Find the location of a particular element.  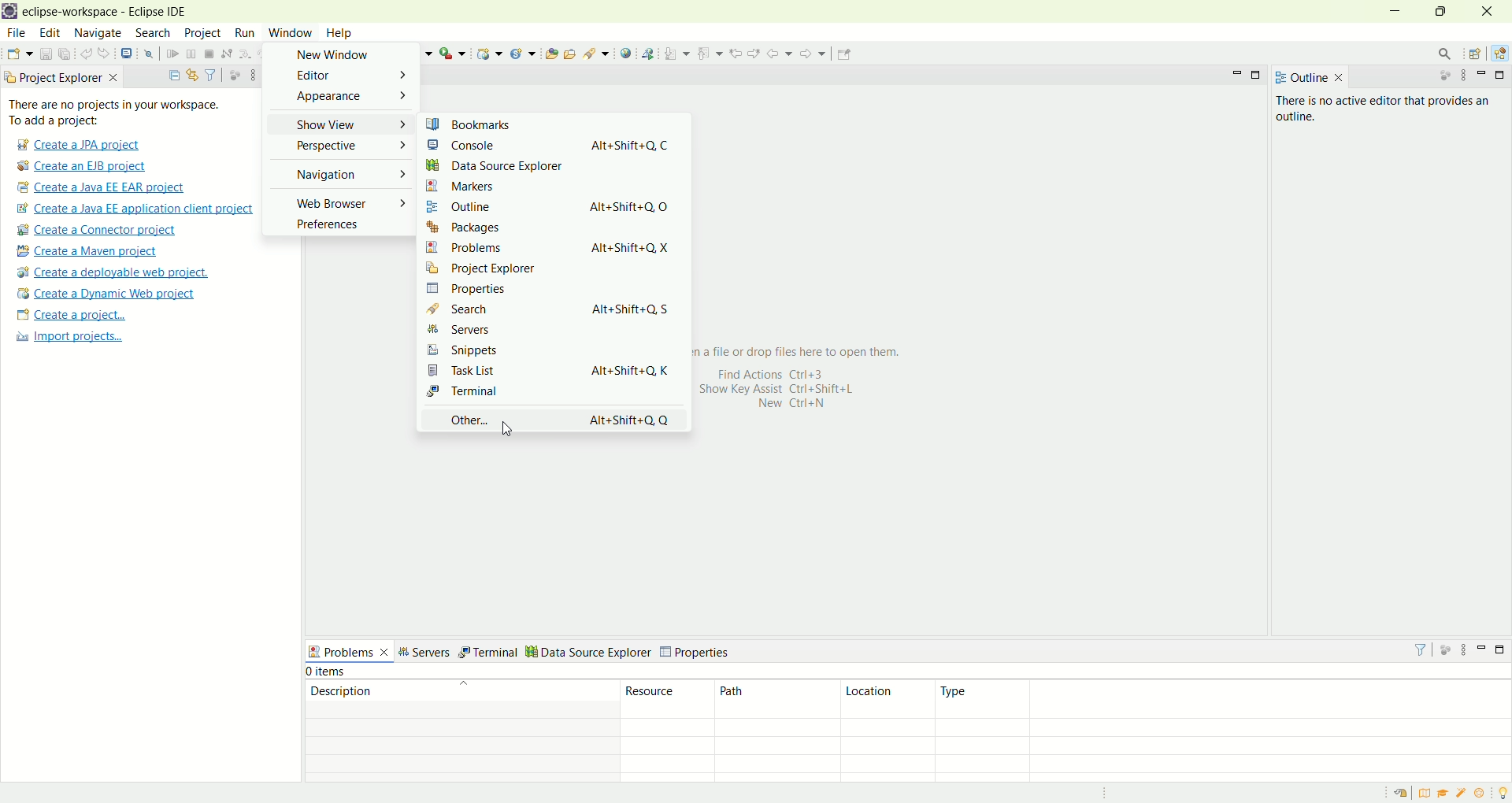

what's new is located at coordinates (1480, 794).